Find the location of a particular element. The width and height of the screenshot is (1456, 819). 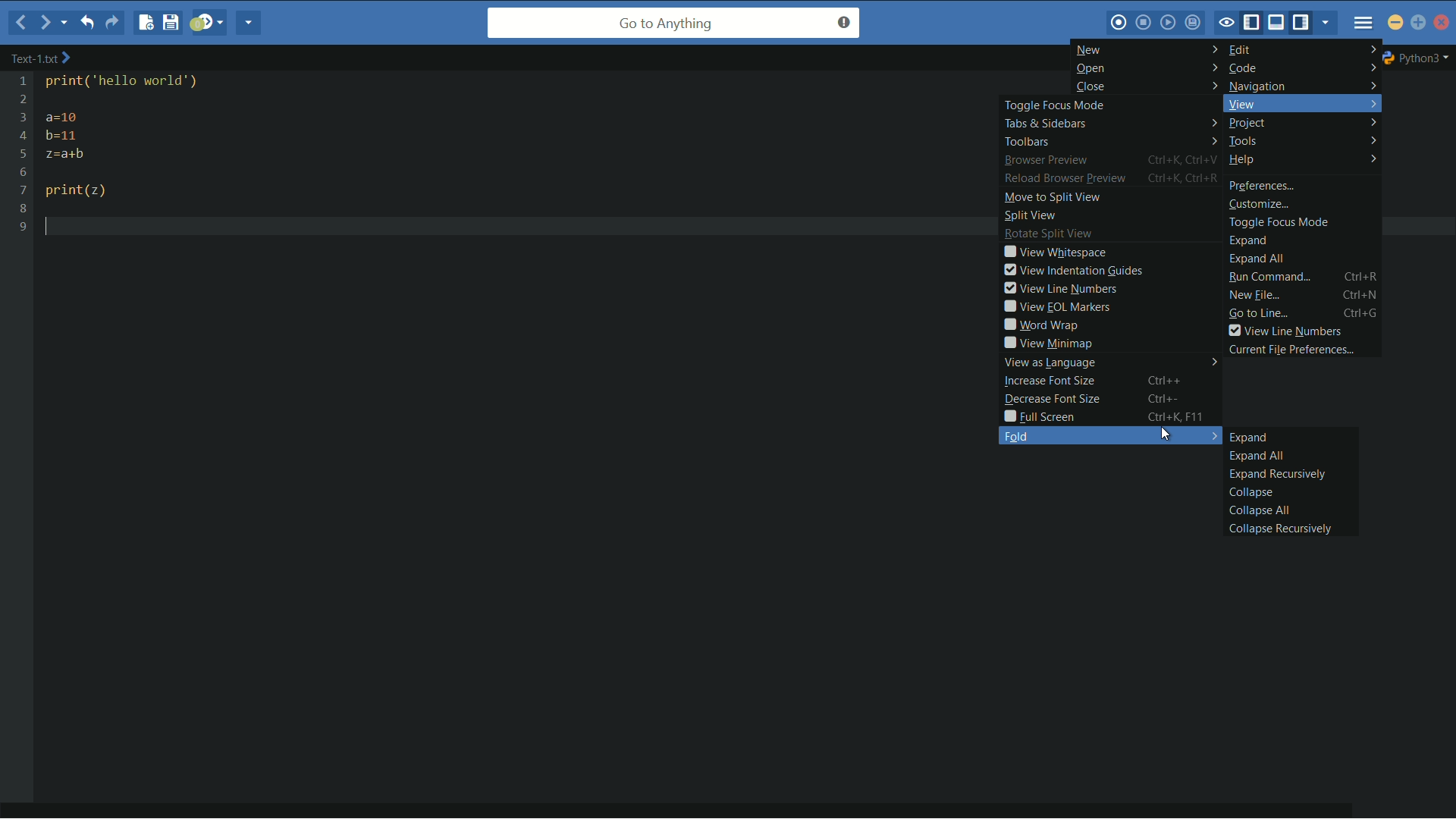

collapse is located at coordinates (1249, 492).